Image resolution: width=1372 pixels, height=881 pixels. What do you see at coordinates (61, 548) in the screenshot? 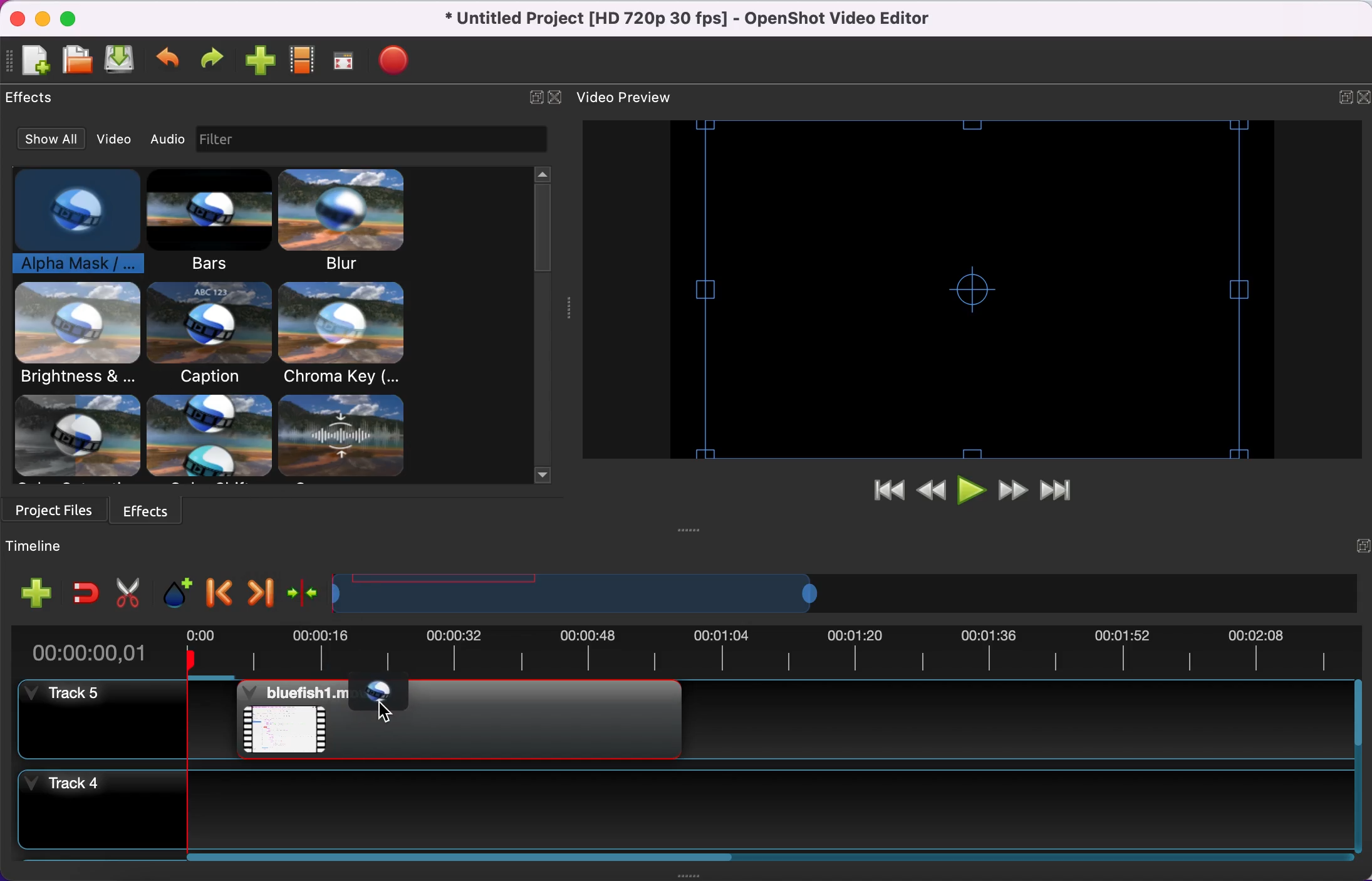
I see `timeline` at bounding box center [61, 548].